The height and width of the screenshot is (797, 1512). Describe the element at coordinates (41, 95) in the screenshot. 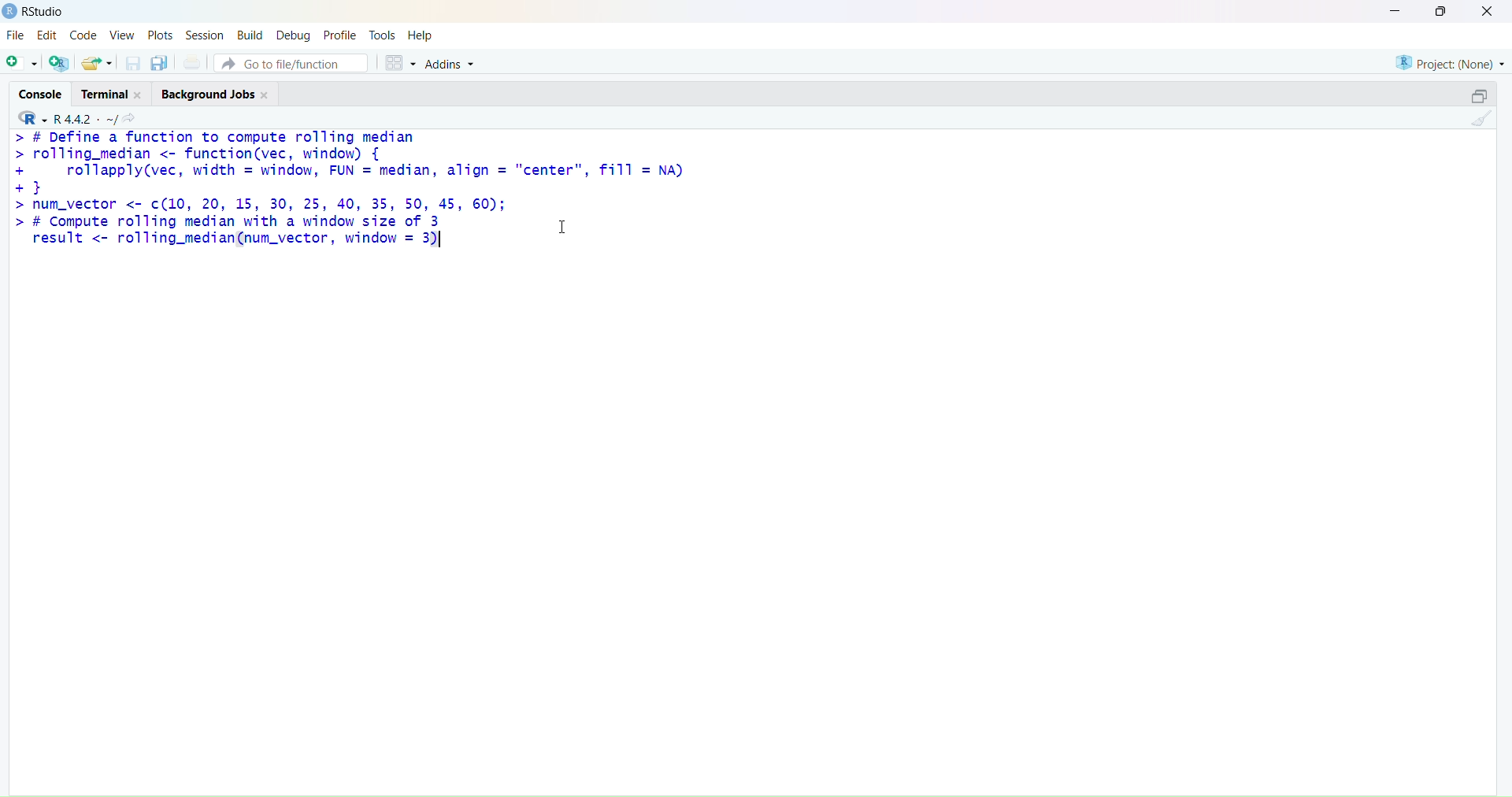

I see `console` at that location.